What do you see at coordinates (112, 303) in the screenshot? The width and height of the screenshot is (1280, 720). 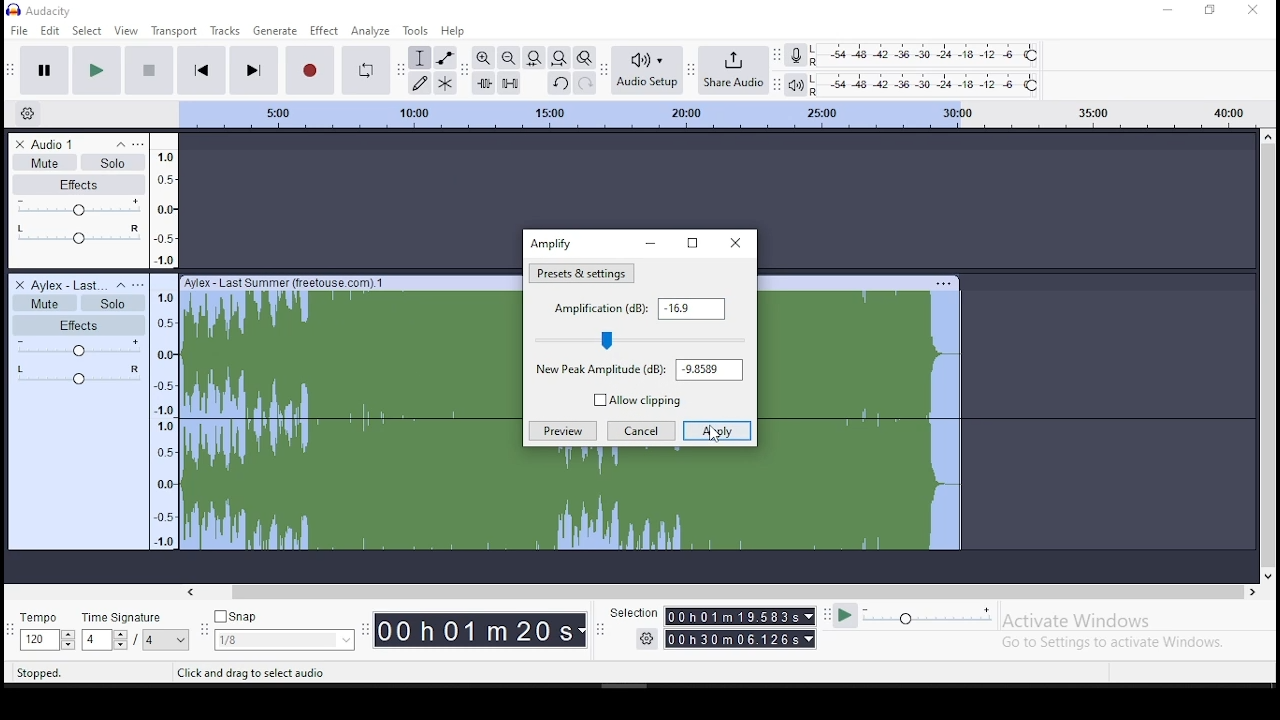 I see `solo` at bounding box center [112, 303].